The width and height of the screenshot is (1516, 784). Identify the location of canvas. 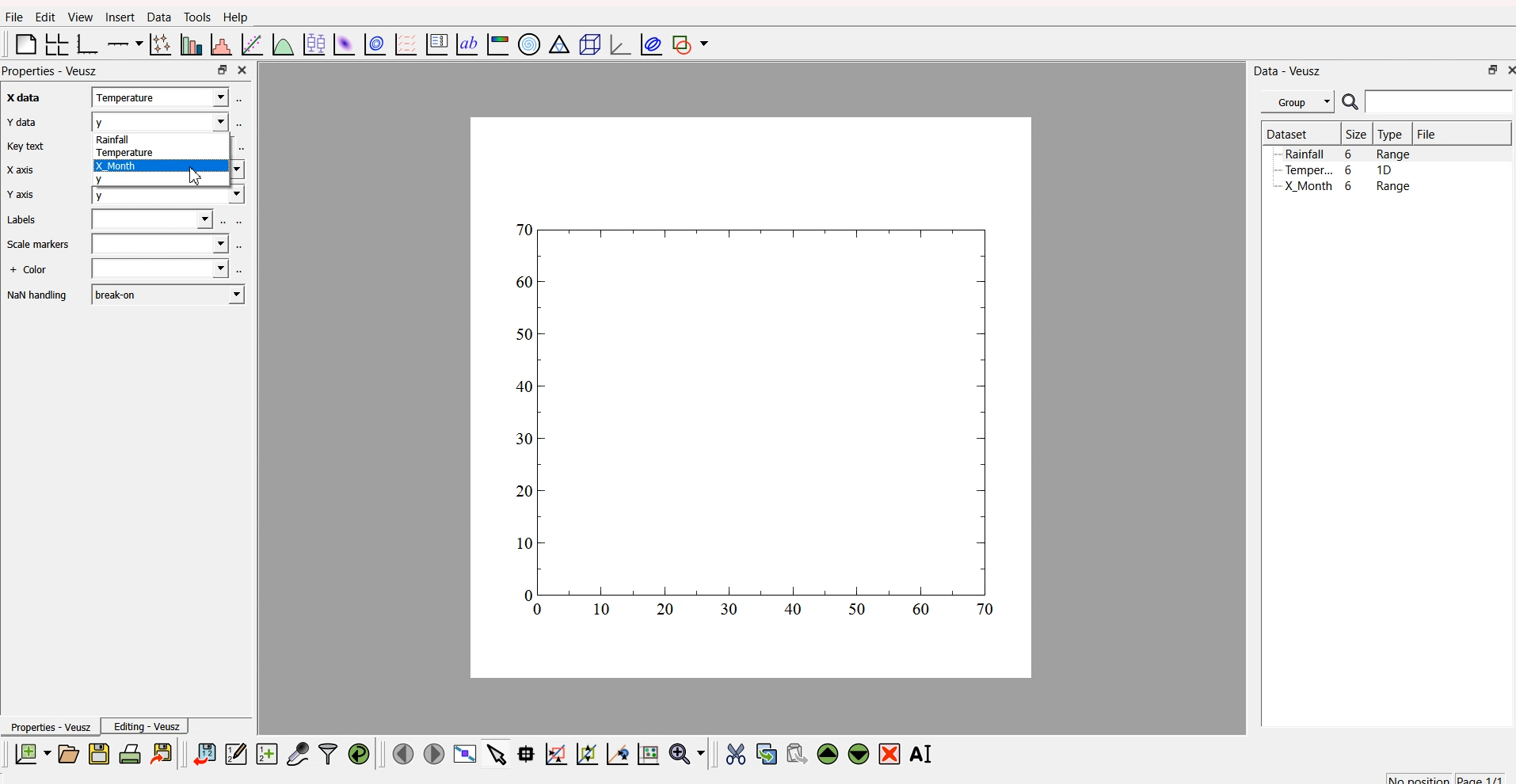
(752, 400).